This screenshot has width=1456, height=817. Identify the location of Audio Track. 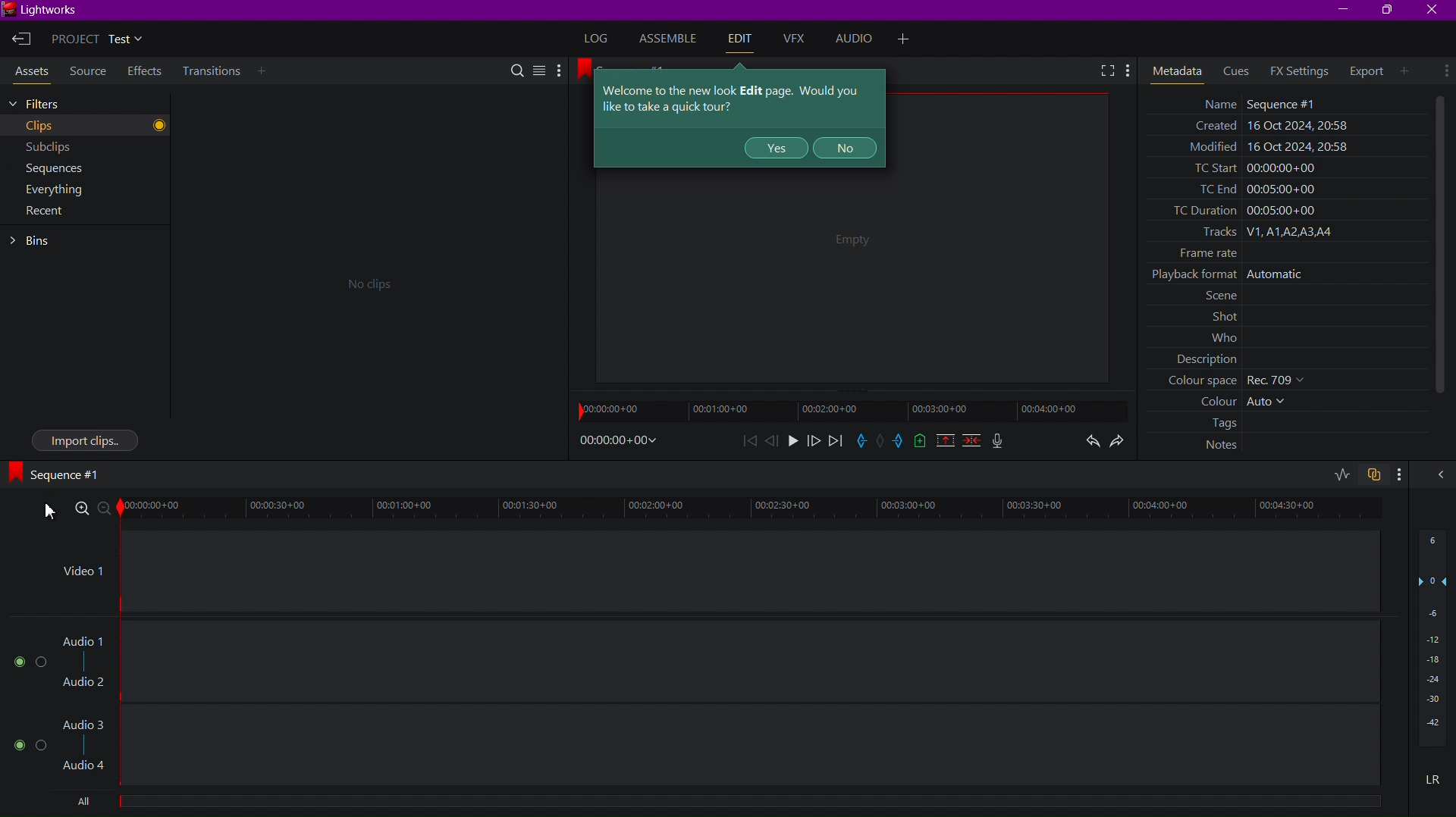
(748, 745).